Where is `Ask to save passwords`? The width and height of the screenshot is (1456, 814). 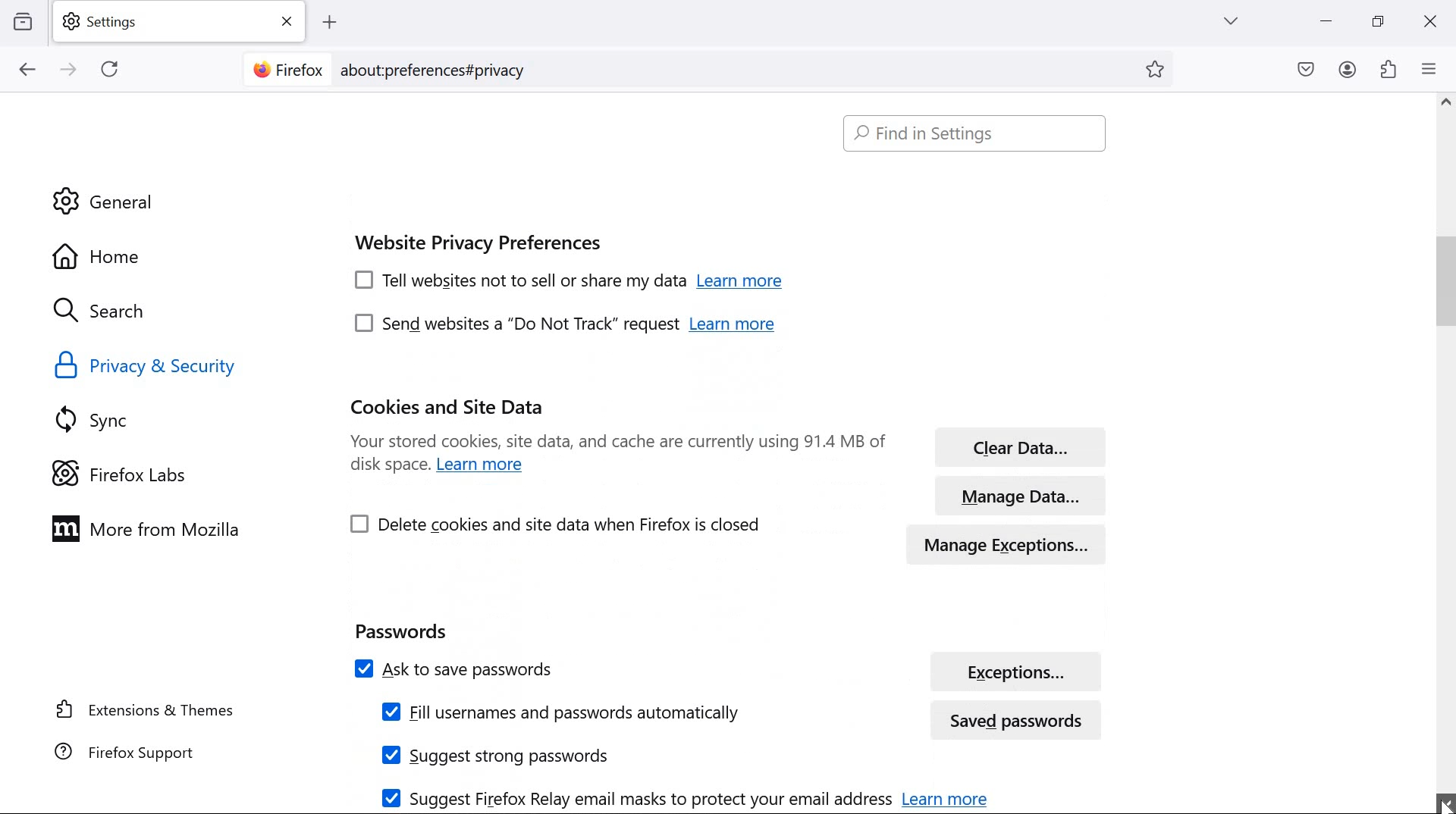 Ask to save passwords is located at coordinates (452, 668).